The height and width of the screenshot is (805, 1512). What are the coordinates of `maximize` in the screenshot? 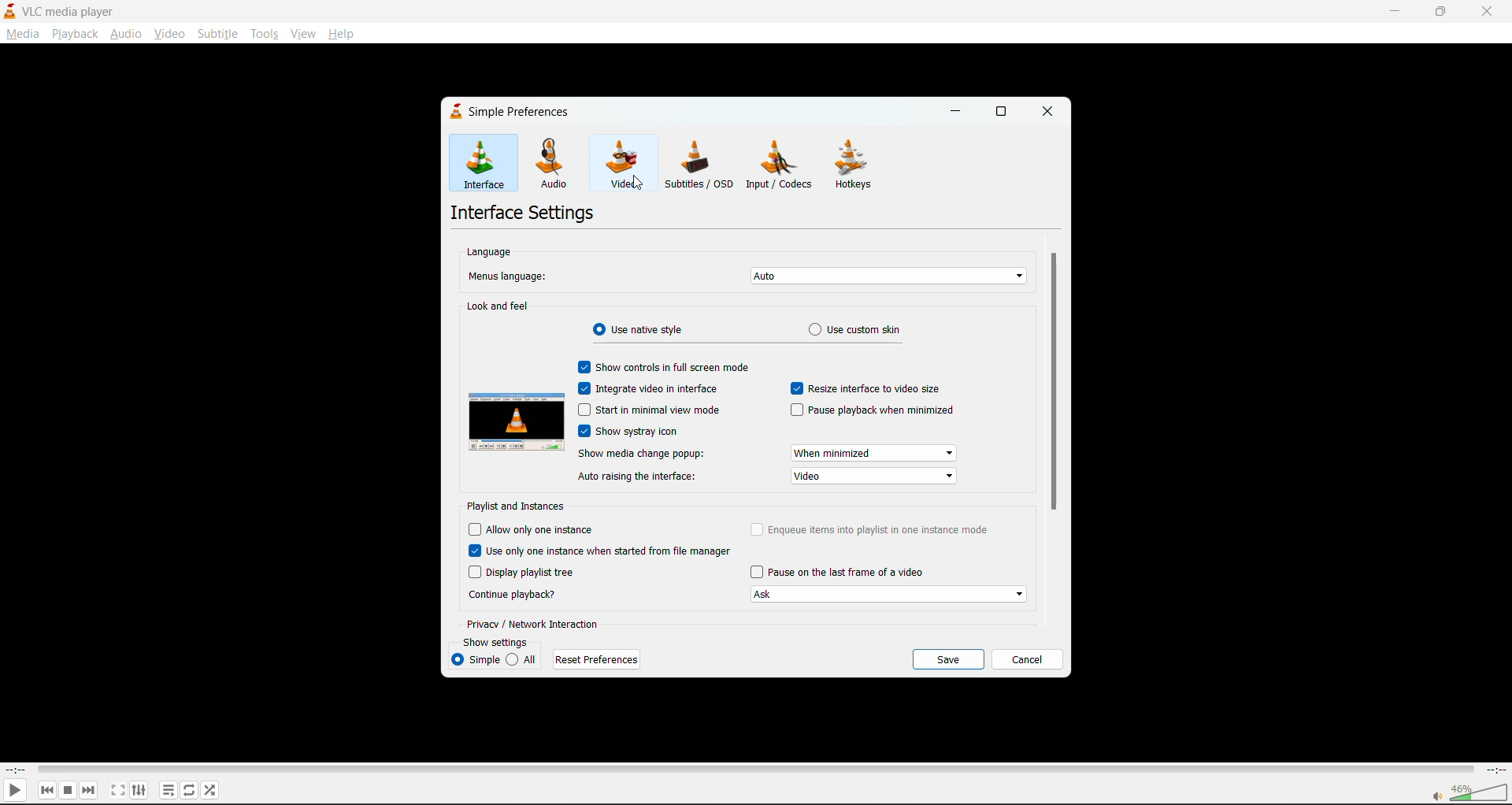 It's located at (1002, 109).